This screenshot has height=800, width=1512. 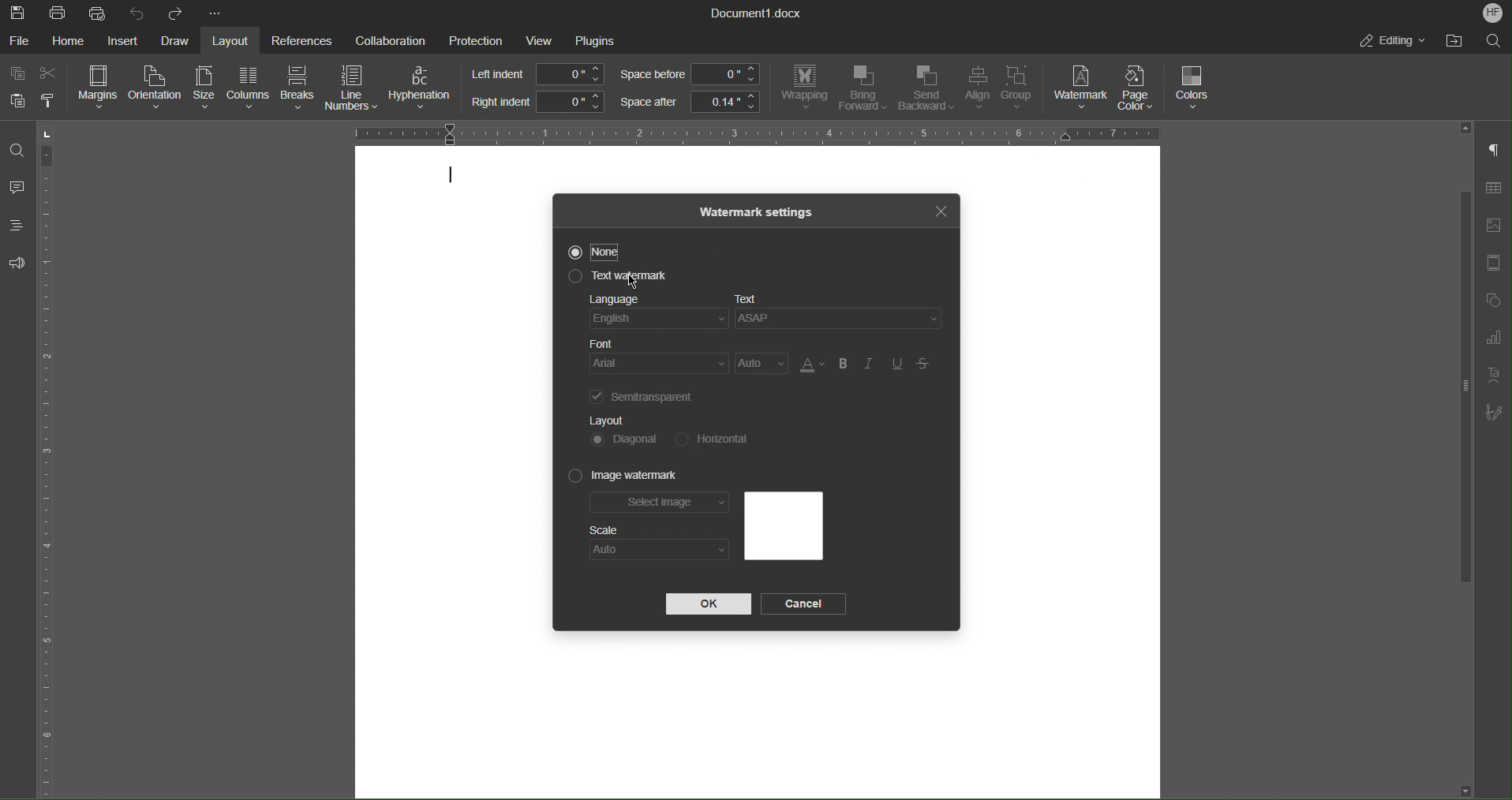 I want to click on Plugins, so click(x=595, y=41).